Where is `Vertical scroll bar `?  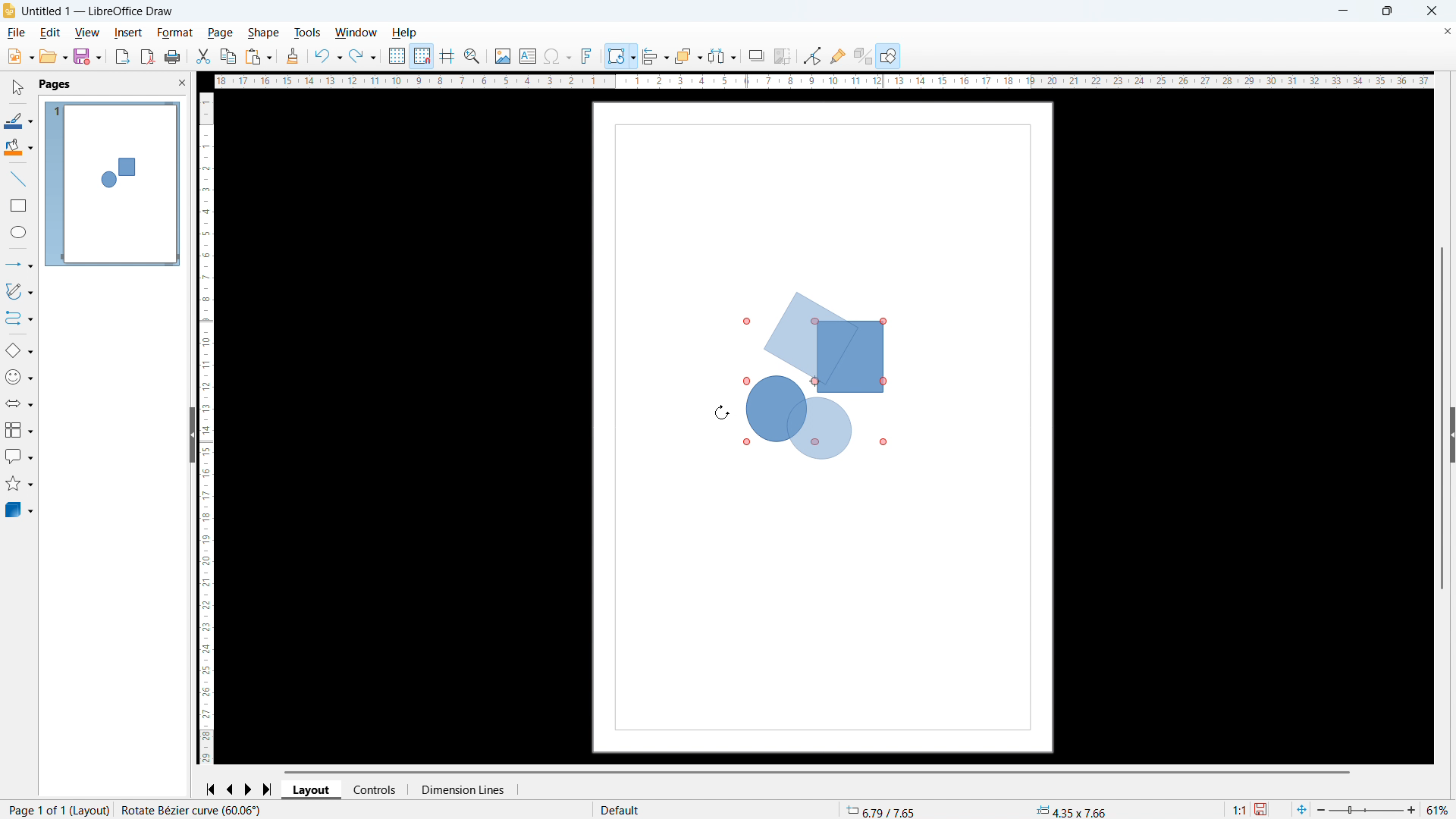
Vertical scroll bar  is located at coordinates (1442, 317).